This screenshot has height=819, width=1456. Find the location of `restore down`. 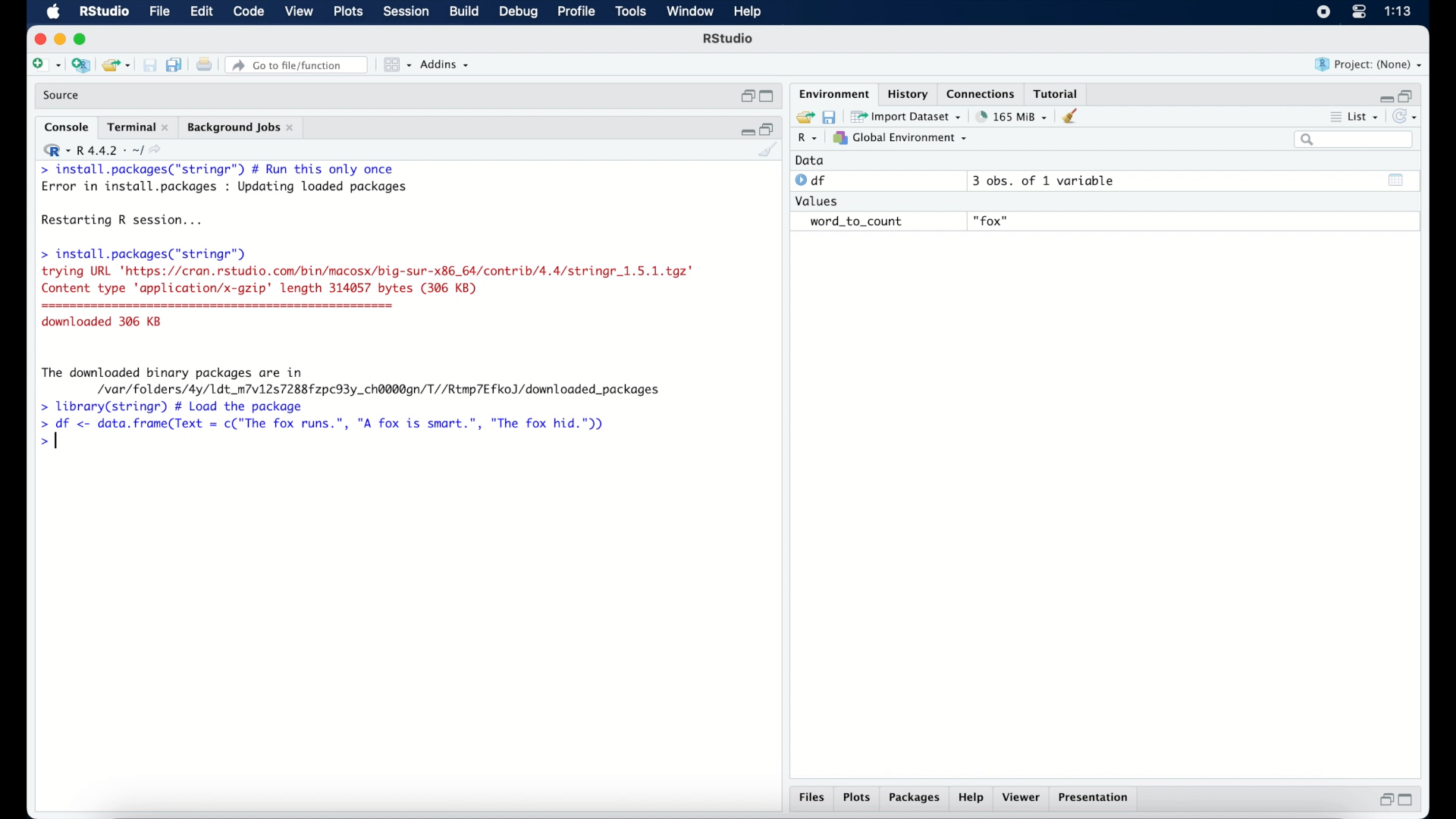

restore down is located at coordinates (1407, 95).